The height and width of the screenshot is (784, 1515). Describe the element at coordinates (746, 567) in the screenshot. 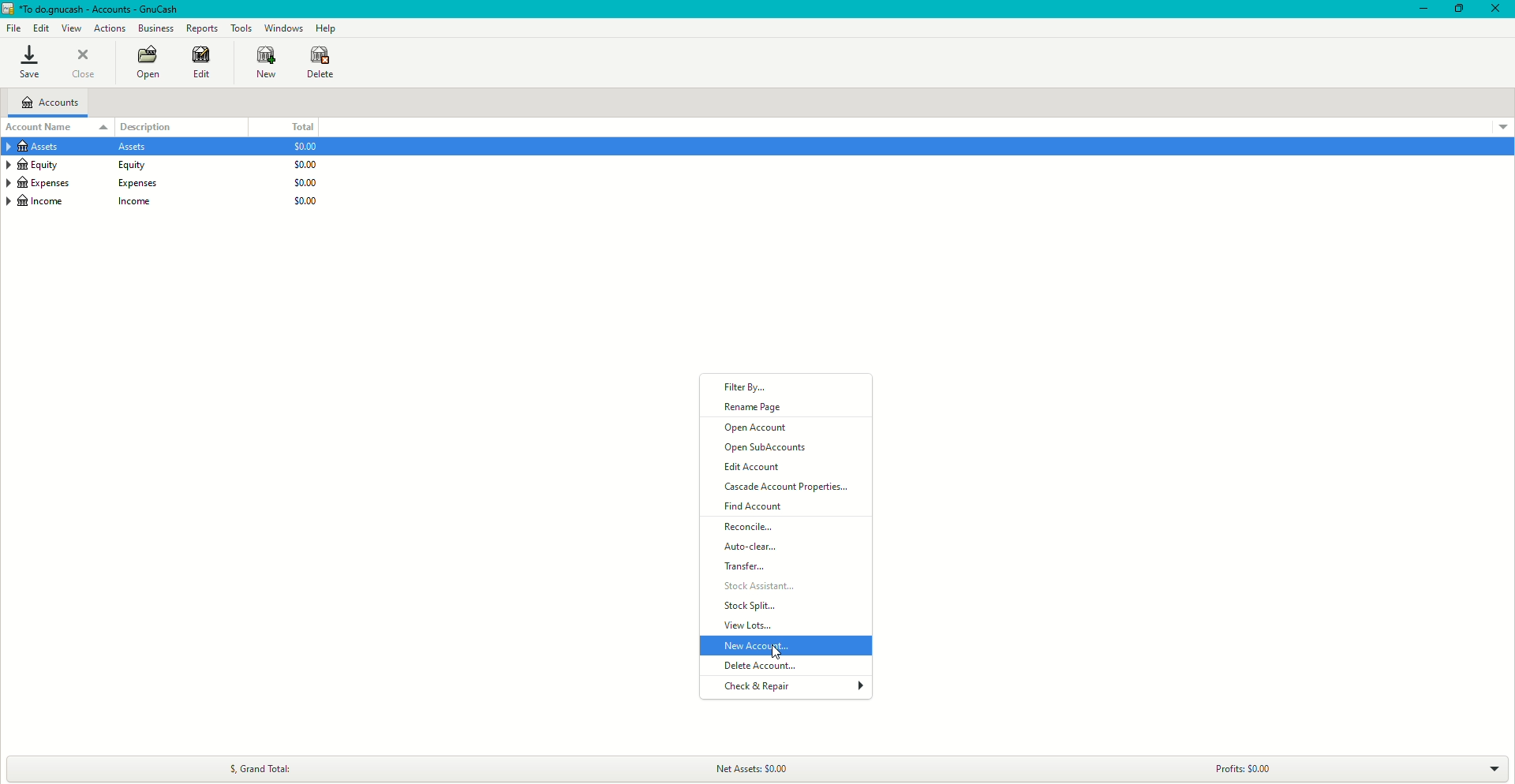

I see `Transfer` at that location.